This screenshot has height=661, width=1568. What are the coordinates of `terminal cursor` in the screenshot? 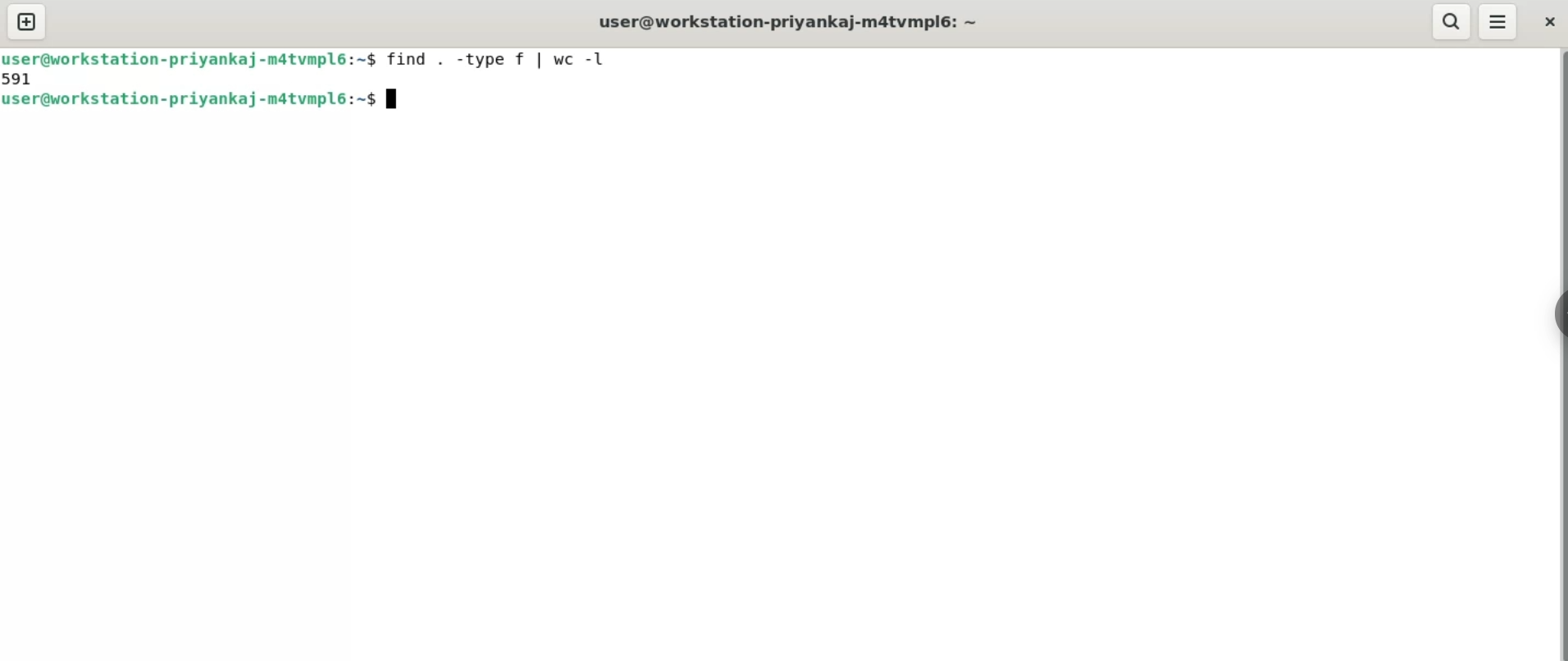 It's located at (391, 99).